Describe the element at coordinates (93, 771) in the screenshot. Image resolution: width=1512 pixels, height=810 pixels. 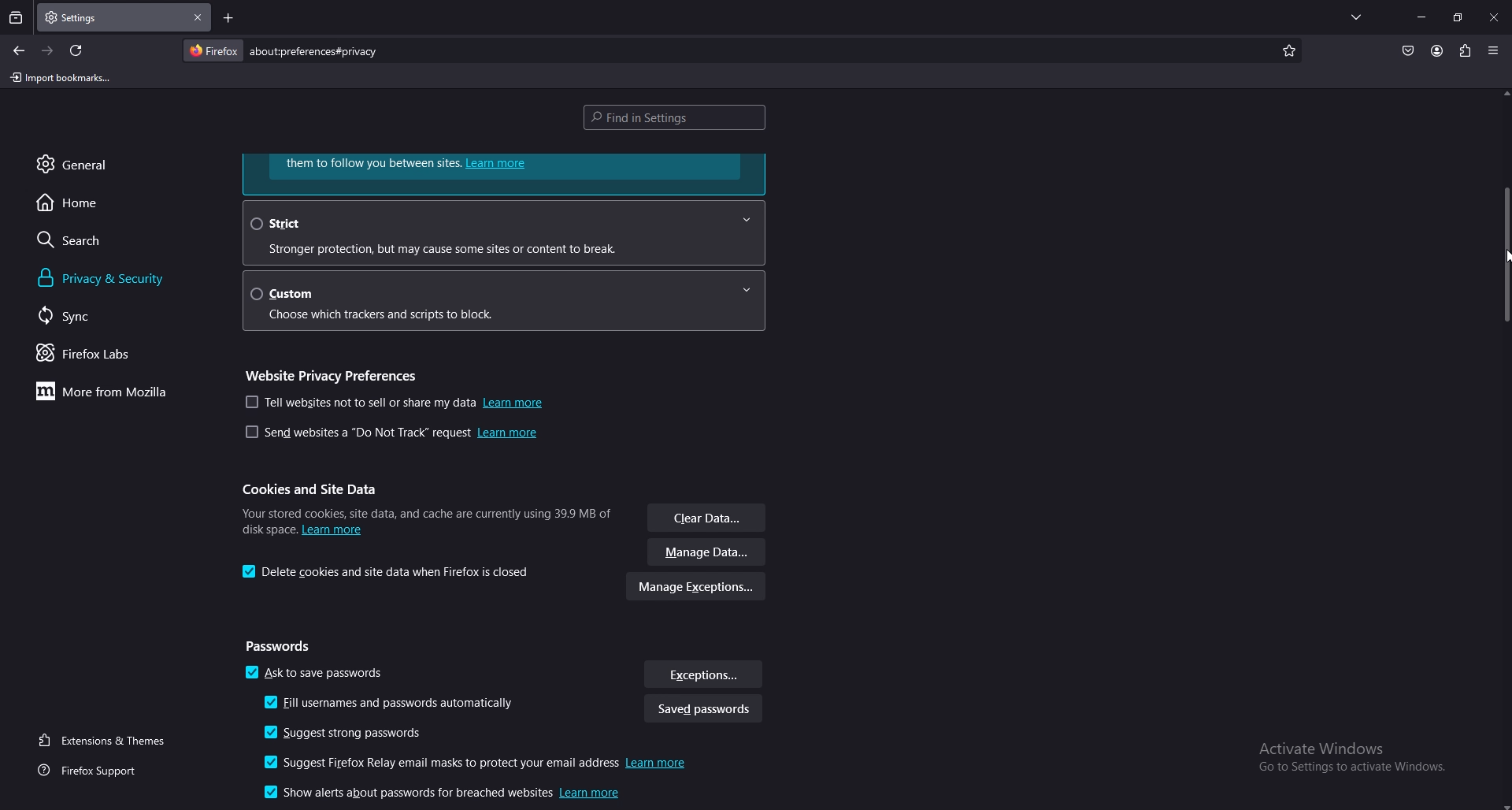
I see `firefox support` at that location.